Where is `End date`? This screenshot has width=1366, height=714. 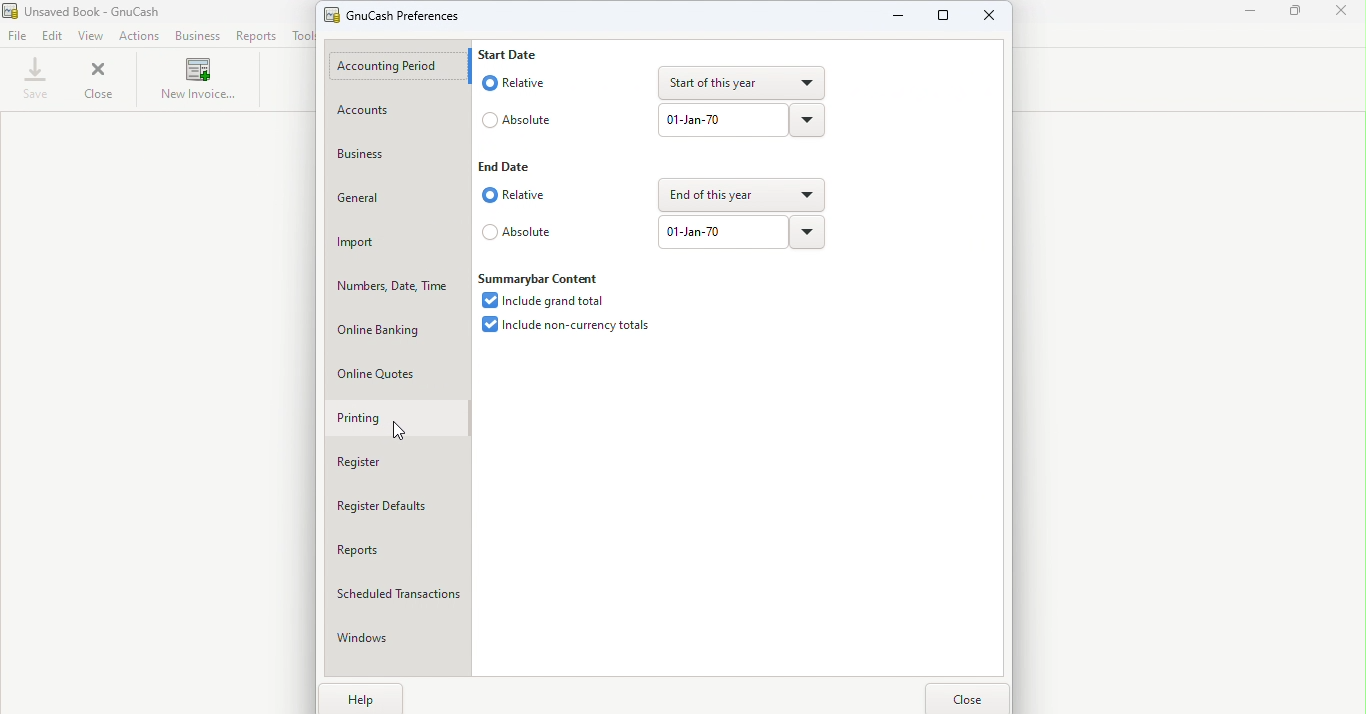 End date is located at coordinates (513, 163).